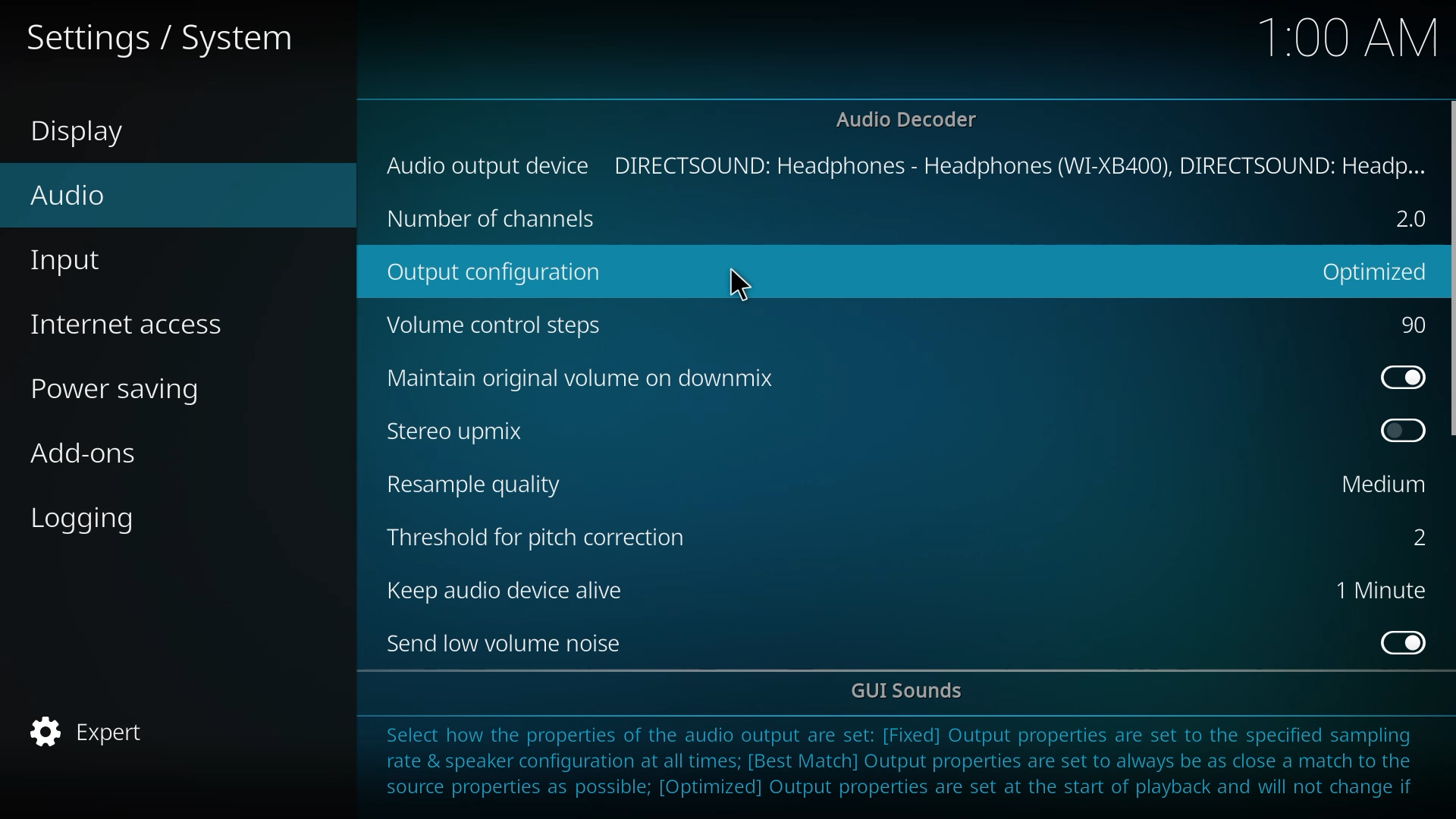 This screenshot has width=1456, height=819. Describe the element at coordinates (128, 385) in the screenshot. I see `power` at that location.